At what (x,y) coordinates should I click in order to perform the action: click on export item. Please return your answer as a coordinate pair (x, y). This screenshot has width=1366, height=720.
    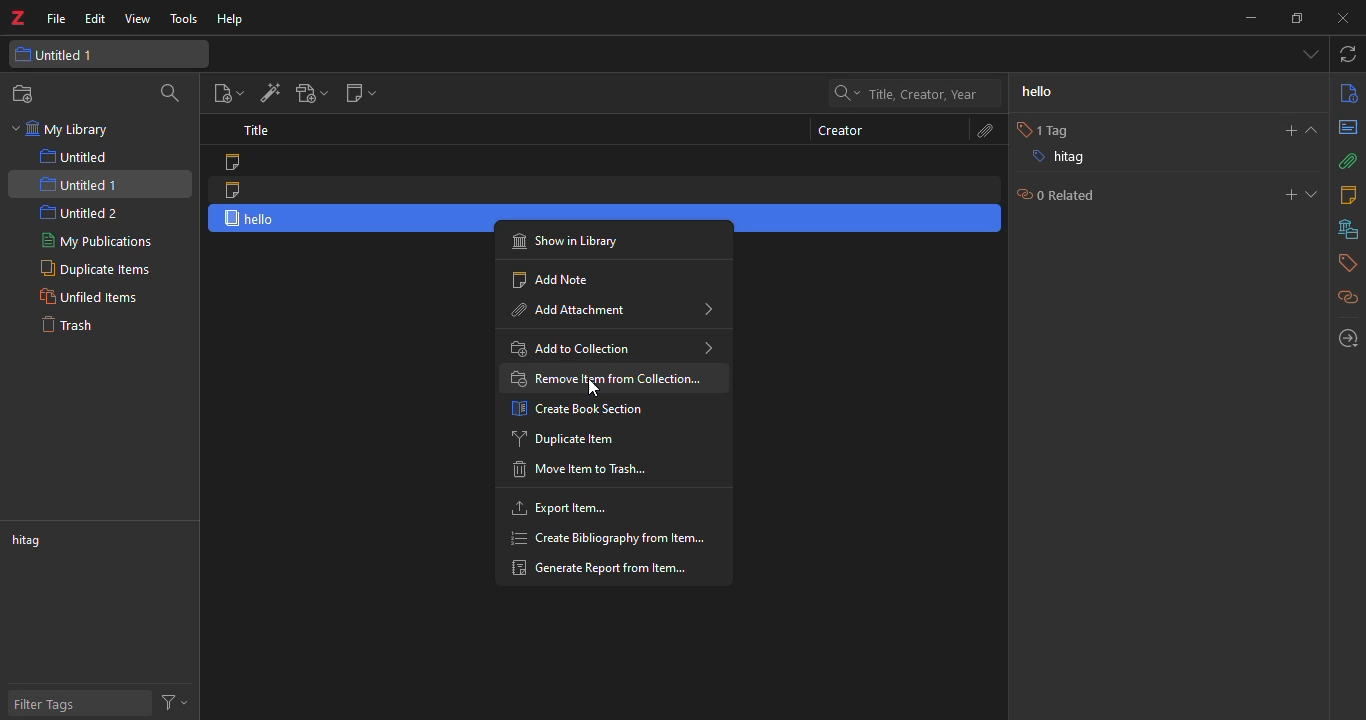
    Looking at the image, I should click on (568, 508).